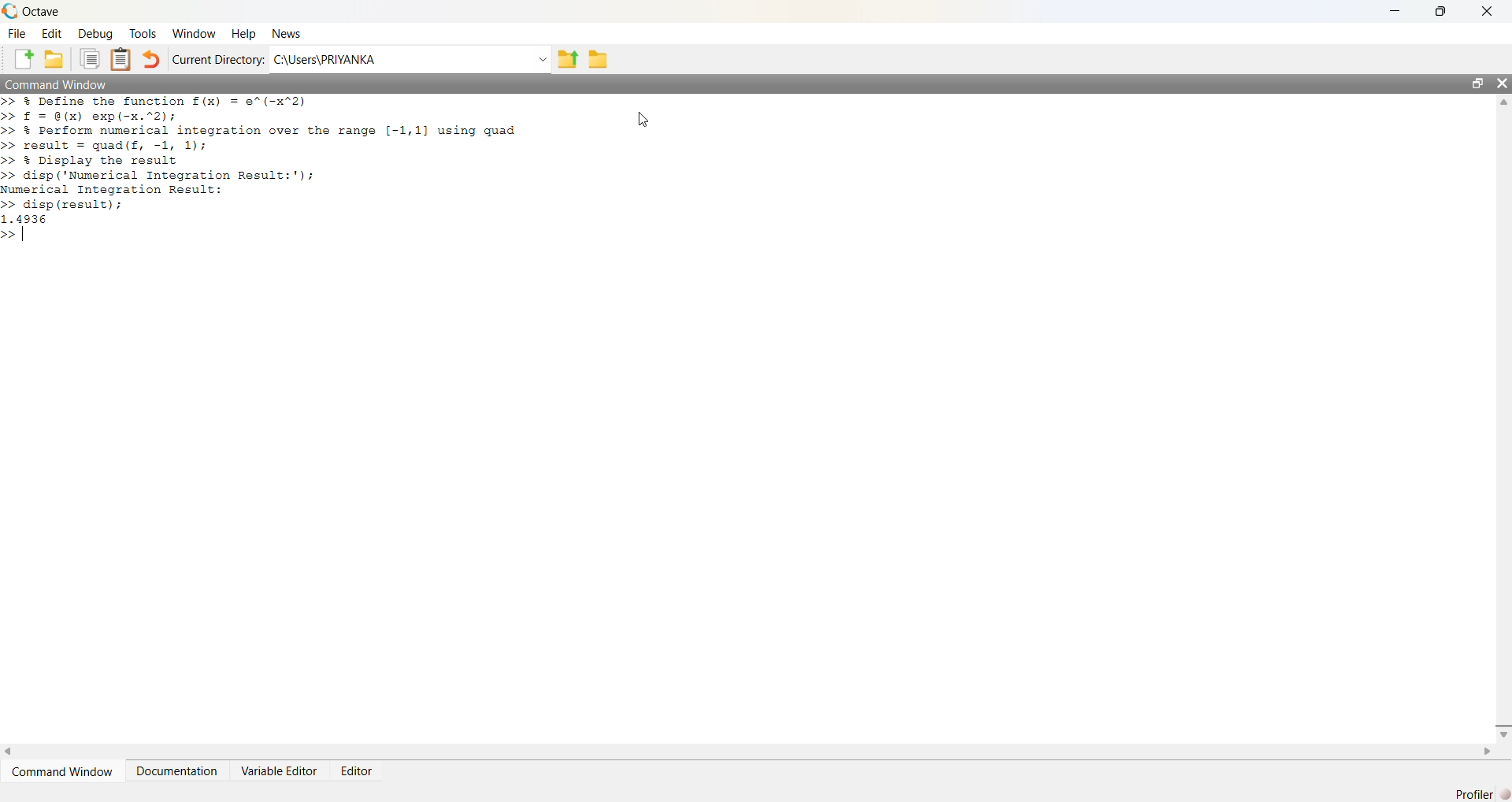  I want to click on Documentation, so click(176, 770).